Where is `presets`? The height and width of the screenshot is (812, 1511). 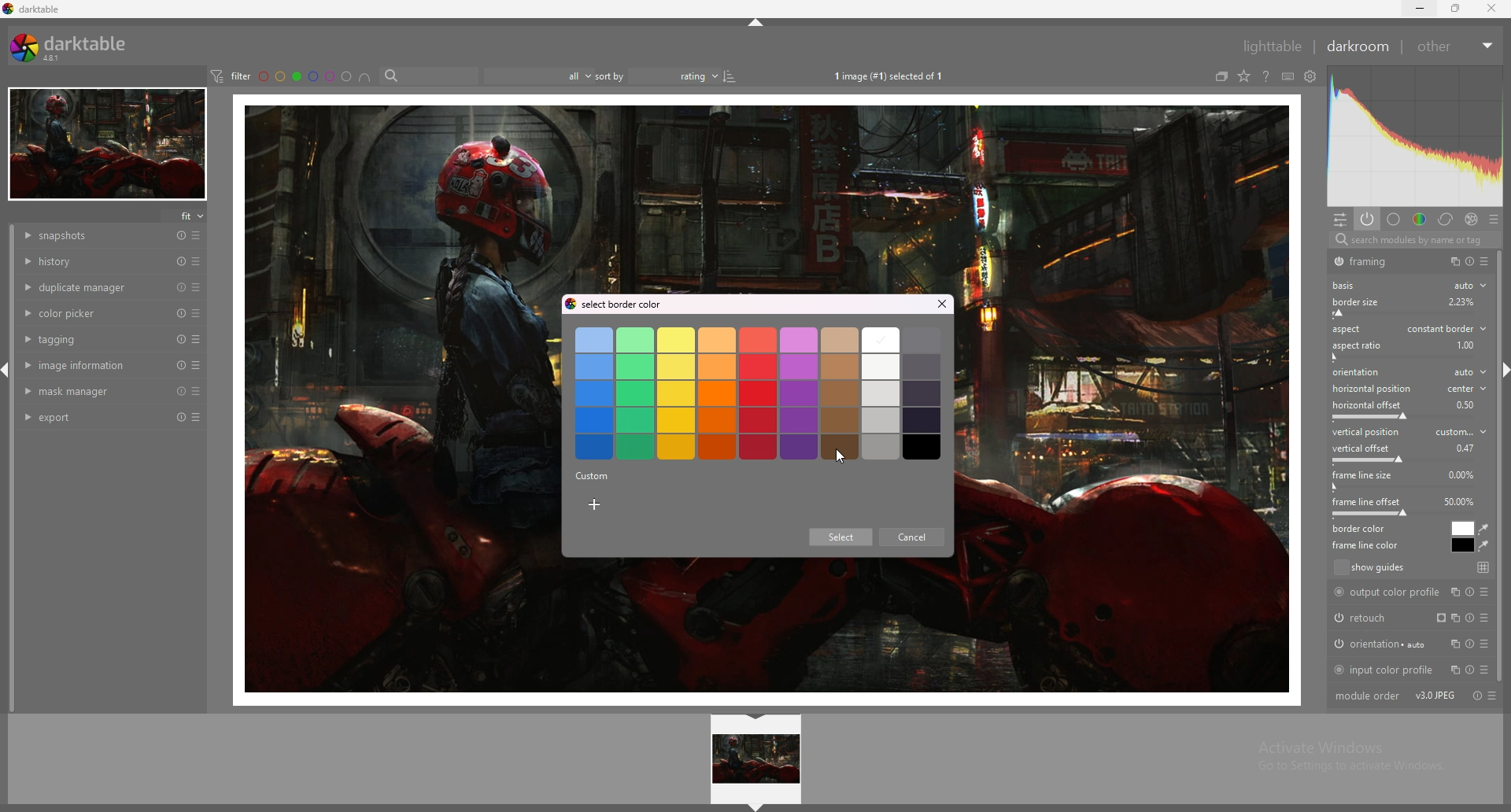
presets is located at coordinates (197, 287).